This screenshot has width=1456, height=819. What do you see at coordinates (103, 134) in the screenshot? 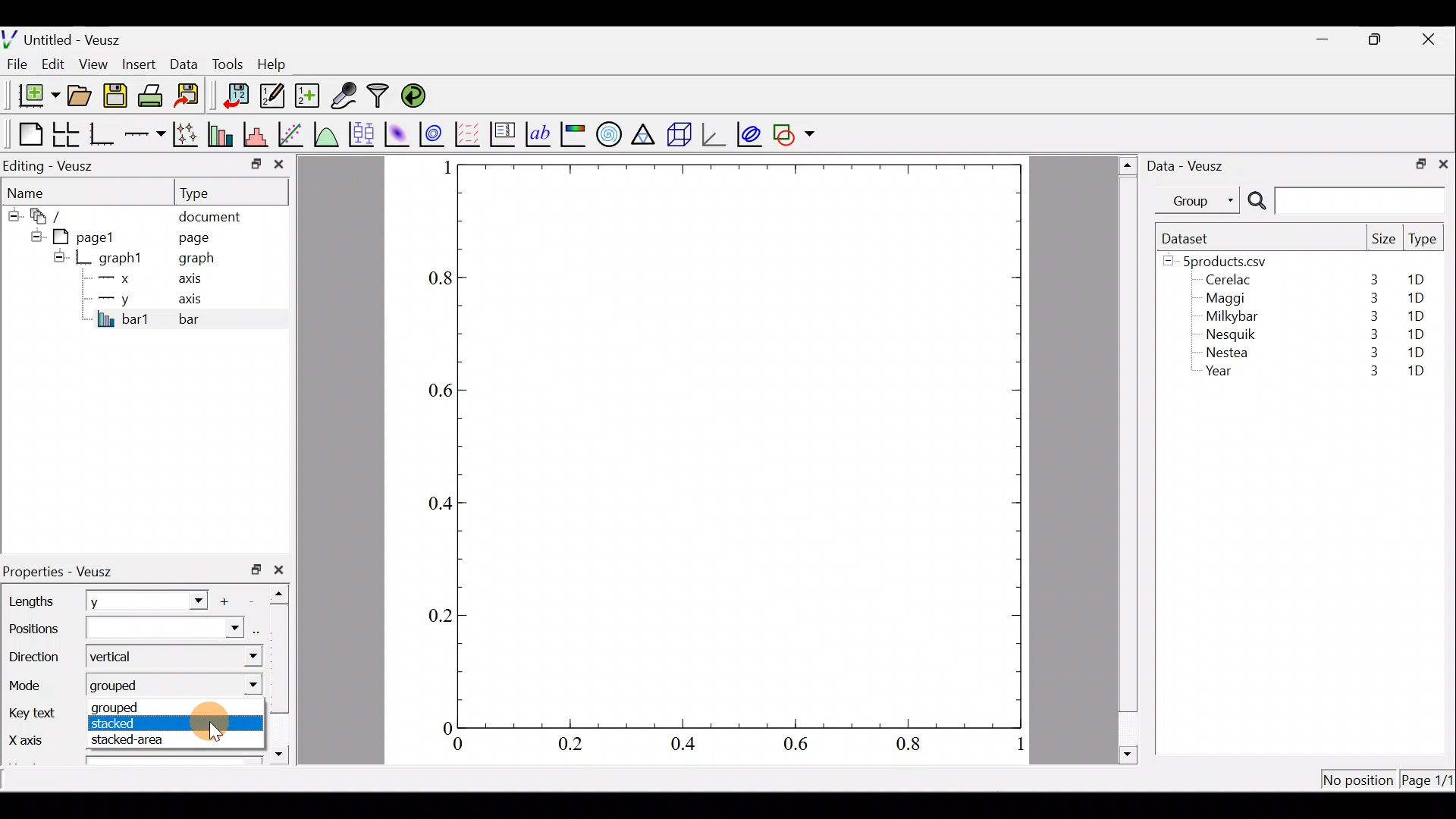
I see `Base graph` at bounding box center [103, 134].